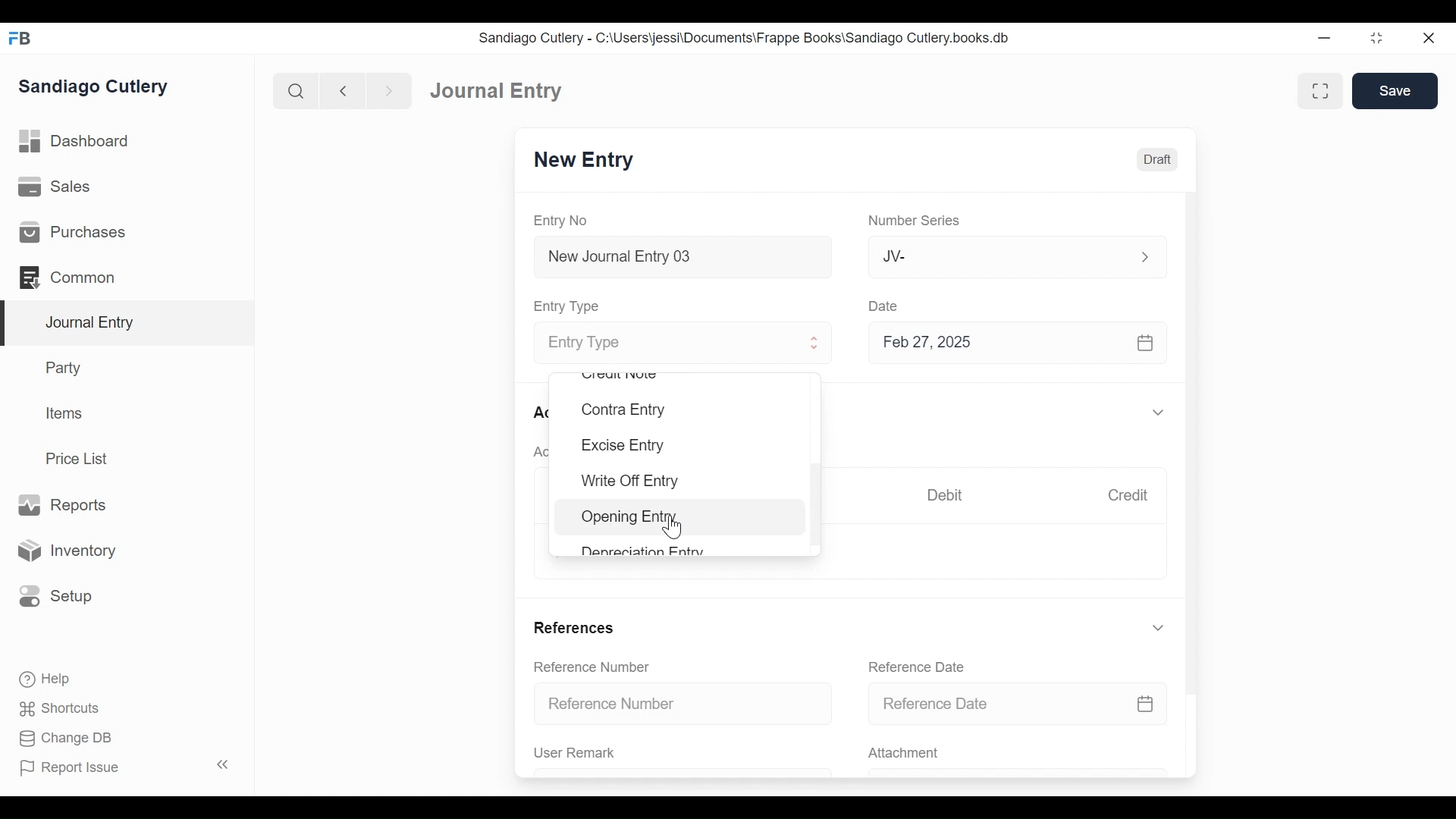 This screenshot has height=819, width=1456. Describe the element at coordinates (294, 90) in the screenshot. I see `Search` at that location.